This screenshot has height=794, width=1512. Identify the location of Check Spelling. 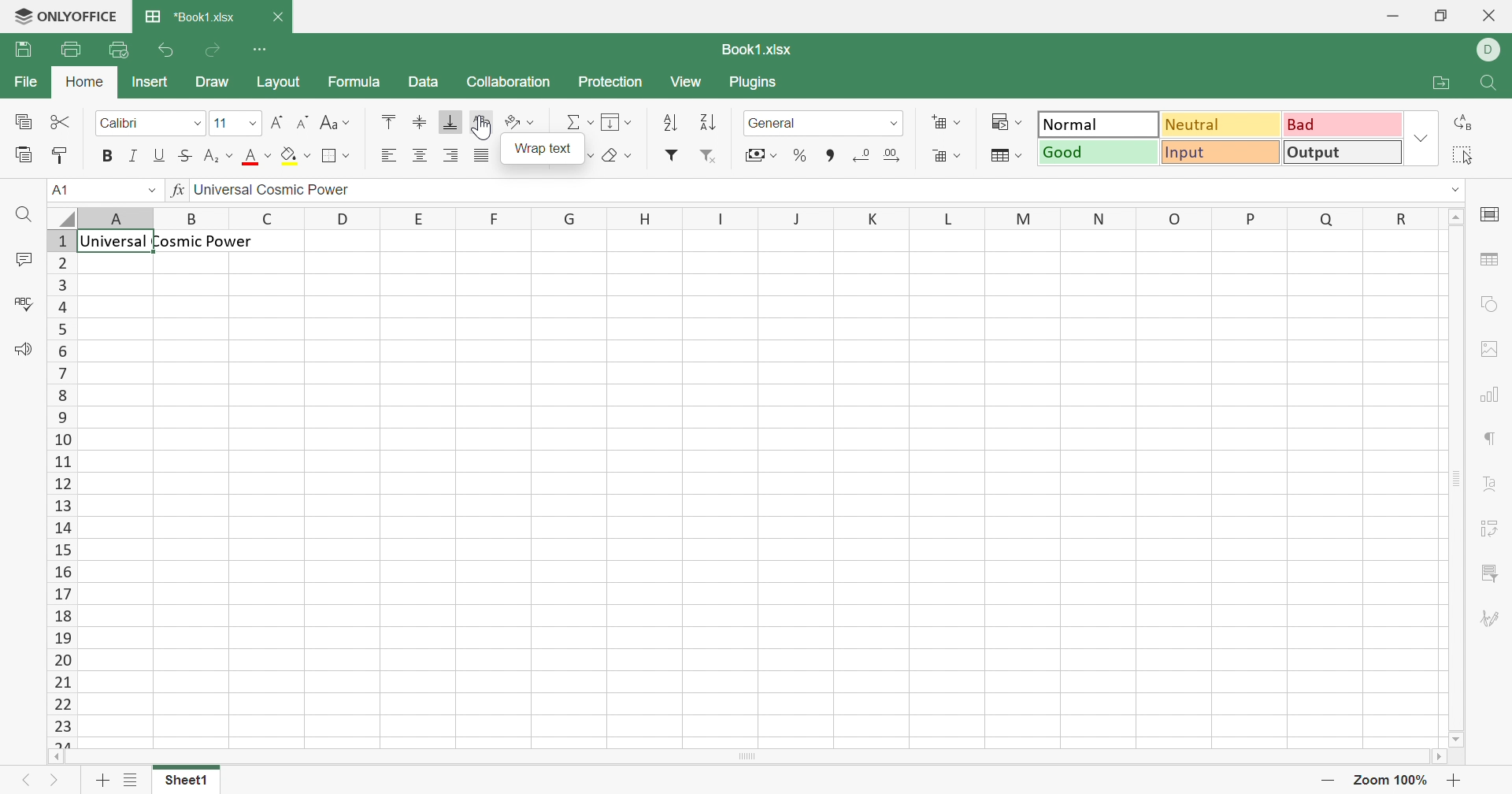
(23, 302).